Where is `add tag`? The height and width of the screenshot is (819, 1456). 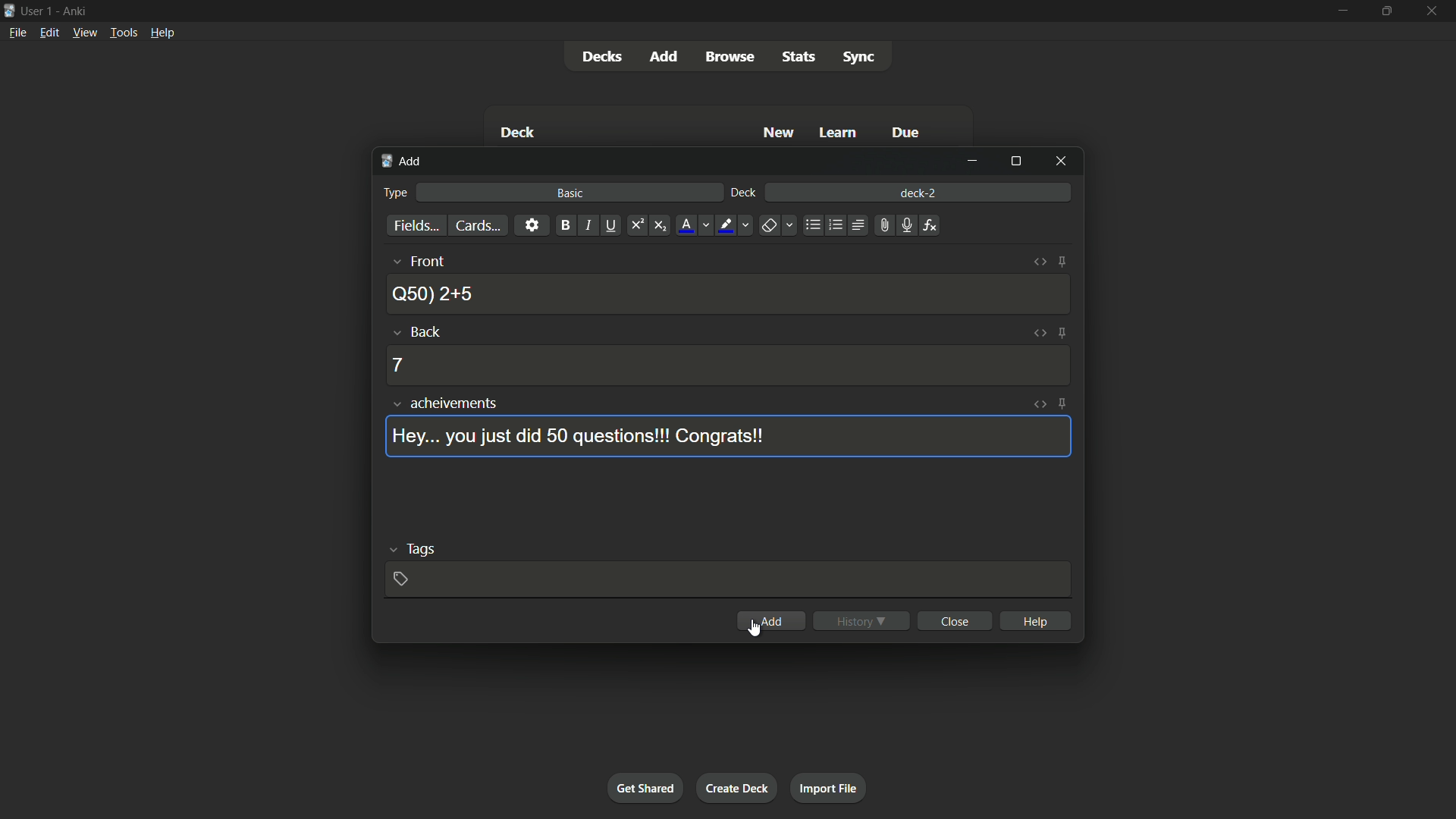
add tag is located at coordinates (399, 579).